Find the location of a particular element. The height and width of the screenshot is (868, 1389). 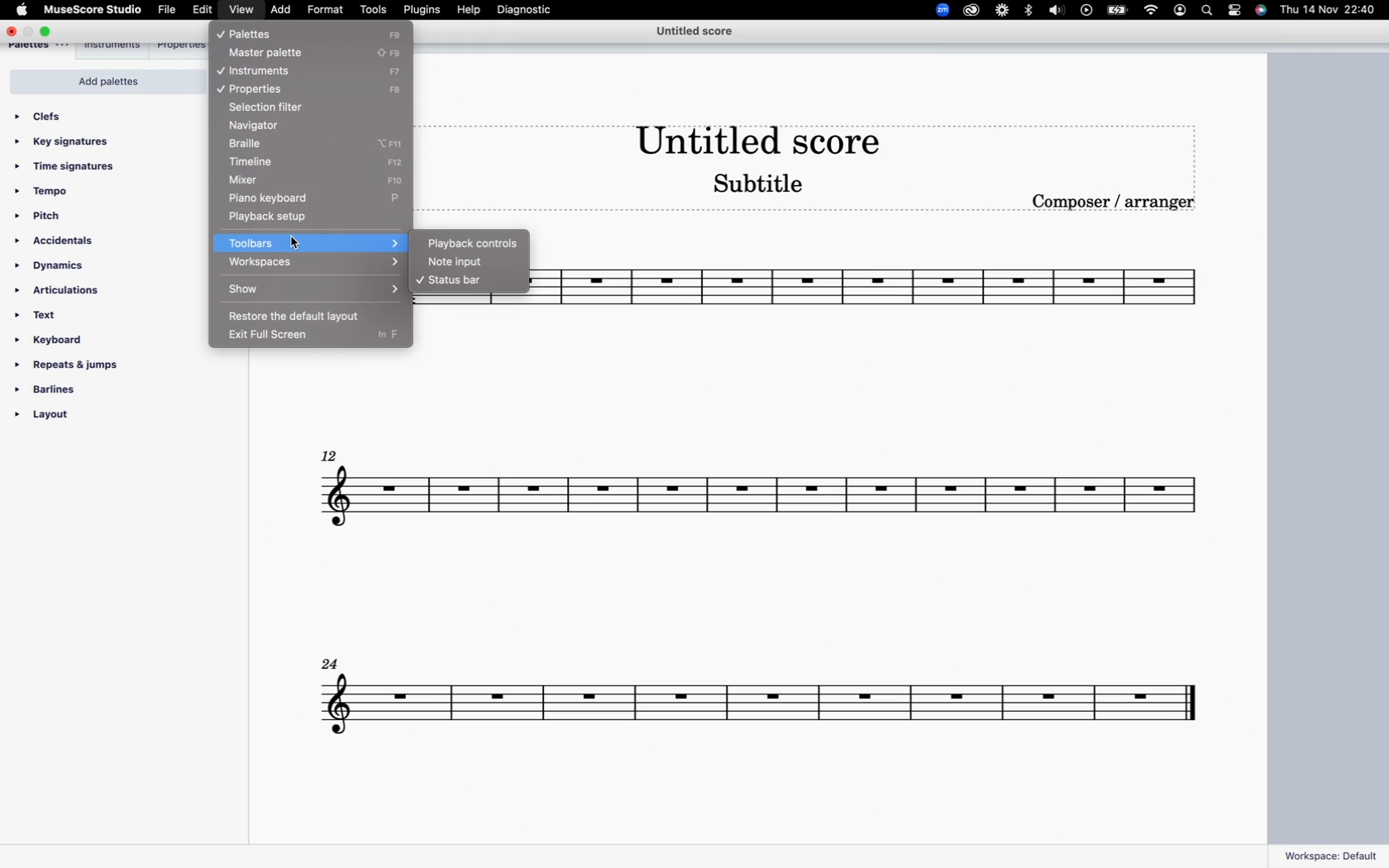

option+F11 is located at coordinates (399, 141).